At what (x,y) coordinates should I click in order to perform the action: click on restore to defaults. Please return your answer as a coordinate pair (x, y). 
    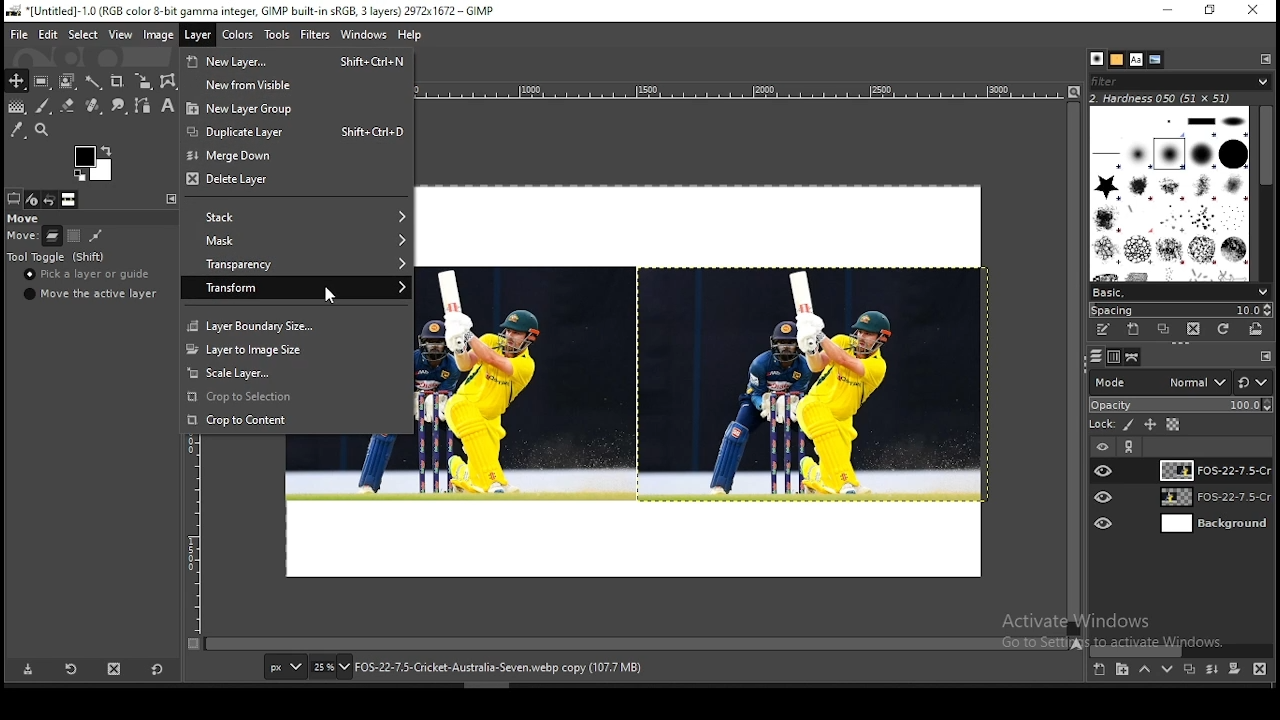
    Looking at the image, I should click on (159, 668).